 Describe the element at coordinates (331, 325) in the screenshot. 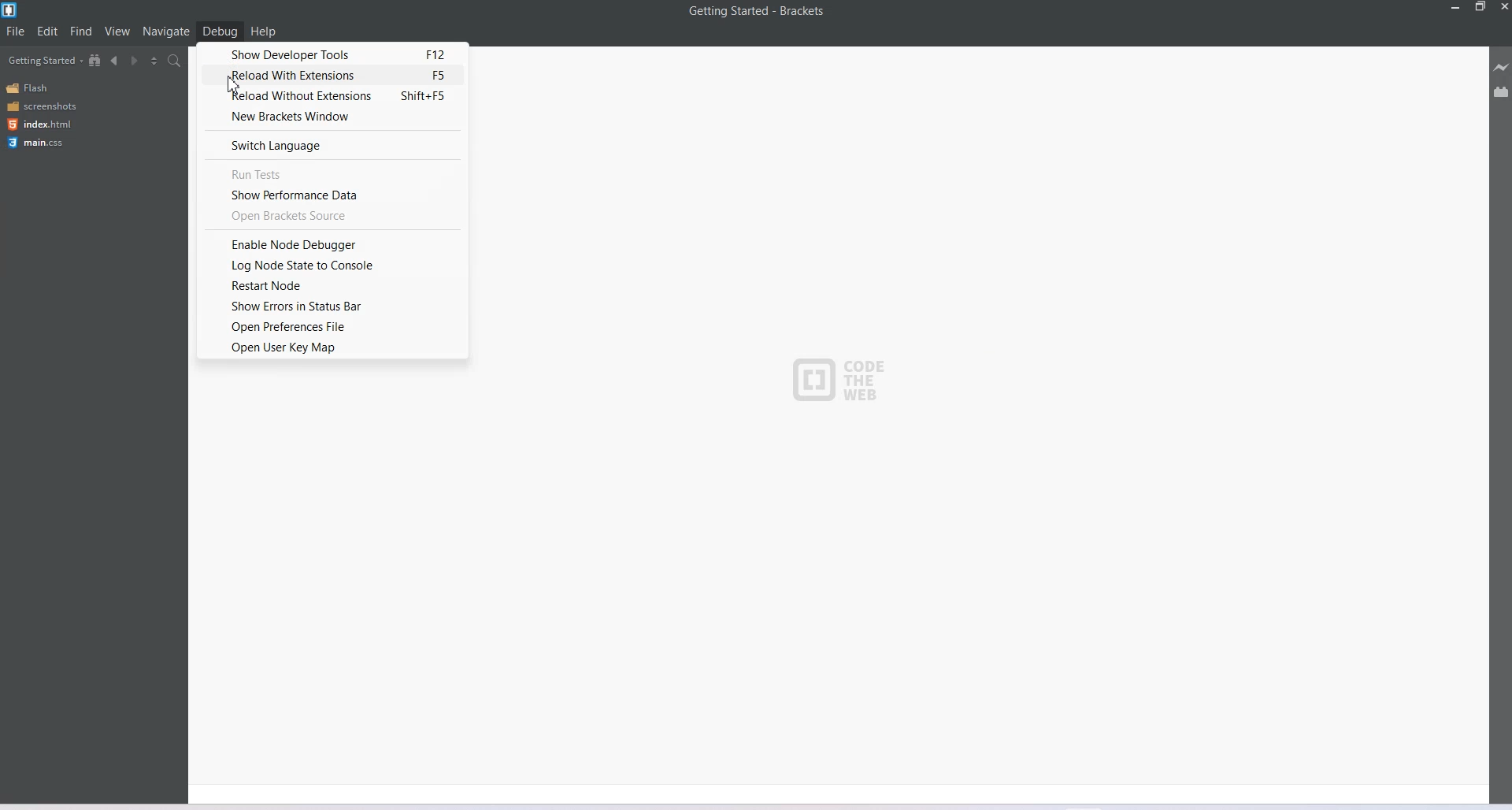

I see `open preferences file` at that location.